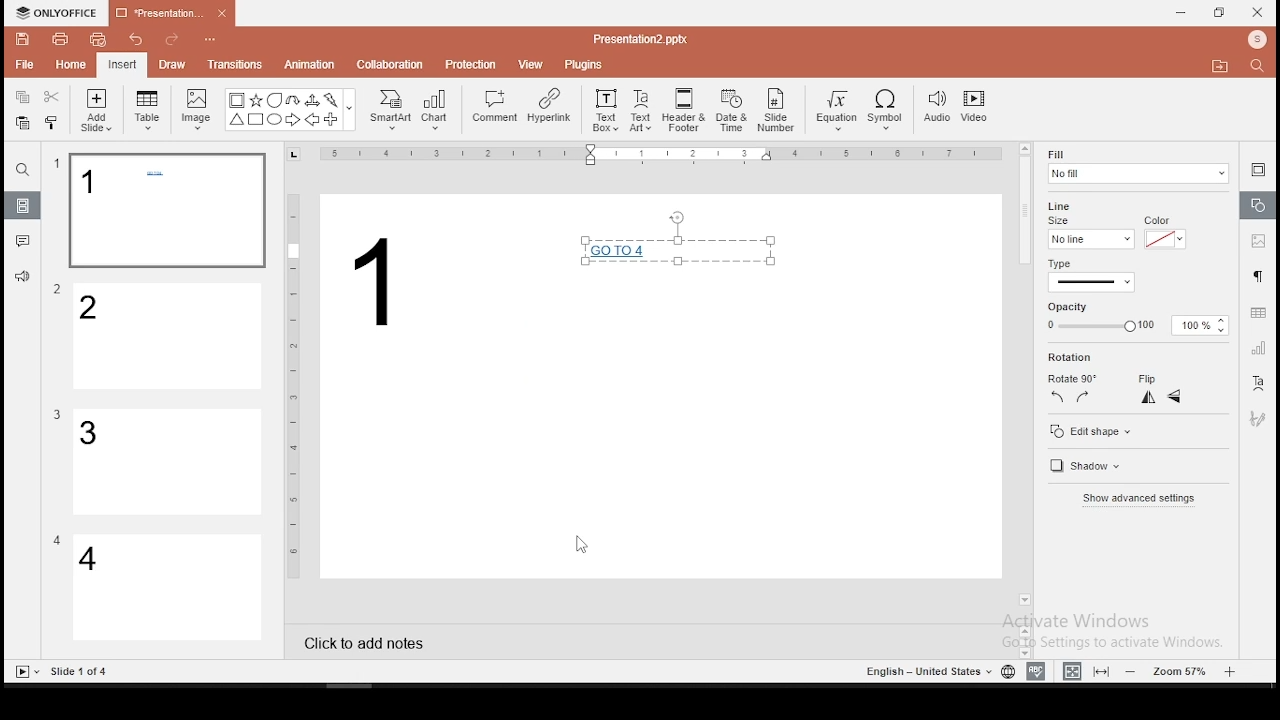 The height and width of the screenshot is (720, 1280). Describe the element at coordinates (136, 41) in the screenshot. I see `undo` at that location.